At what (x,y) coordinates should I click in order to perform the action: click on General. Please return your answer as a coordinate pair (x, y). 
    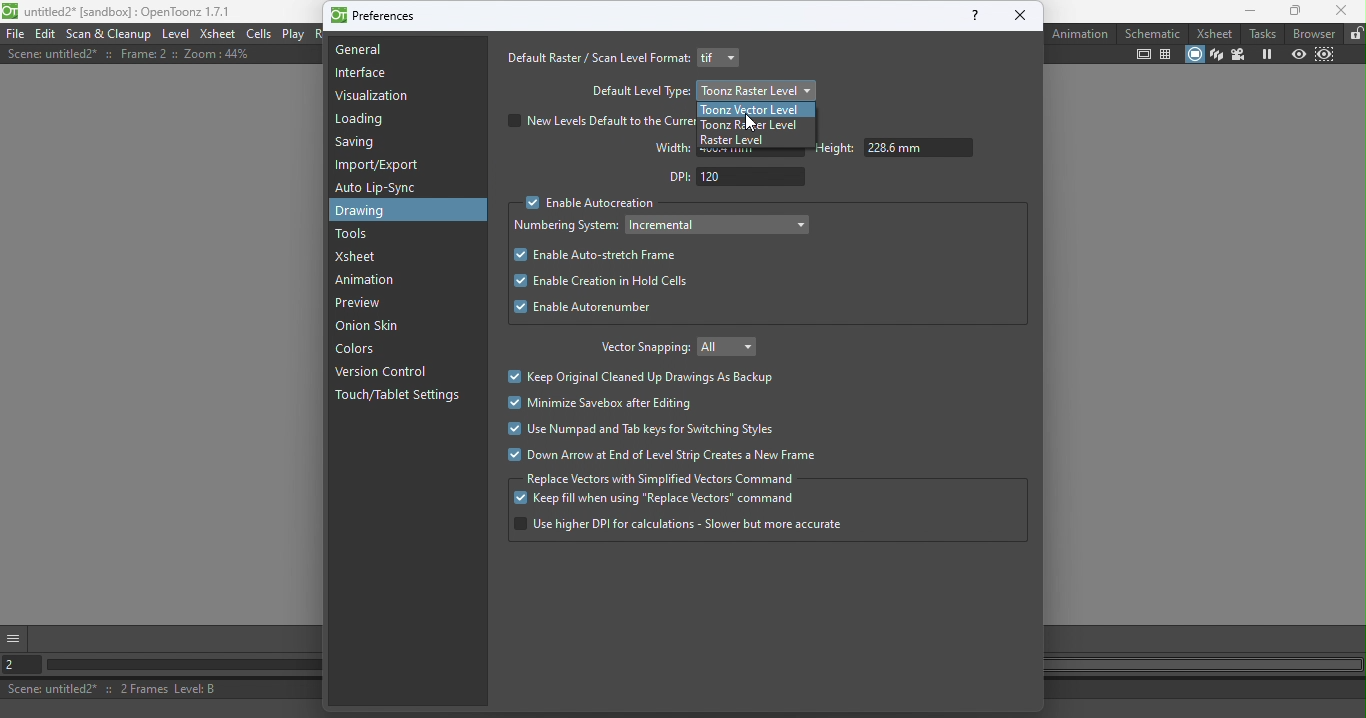
    Looking at the image, I should click on (403, 49).